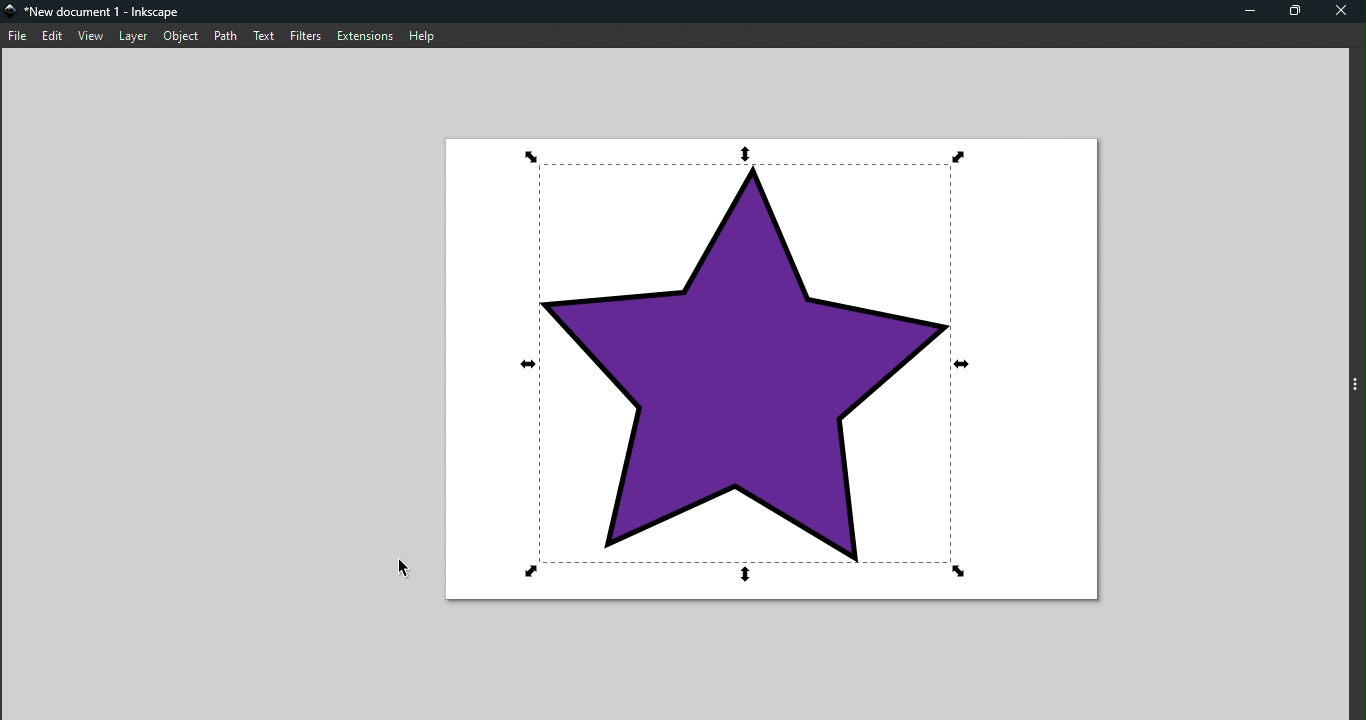  What do you see at coordinates (1356, 378) in the screenshot?
I see `Toggle command panel` at bounding box center [1356, 378].